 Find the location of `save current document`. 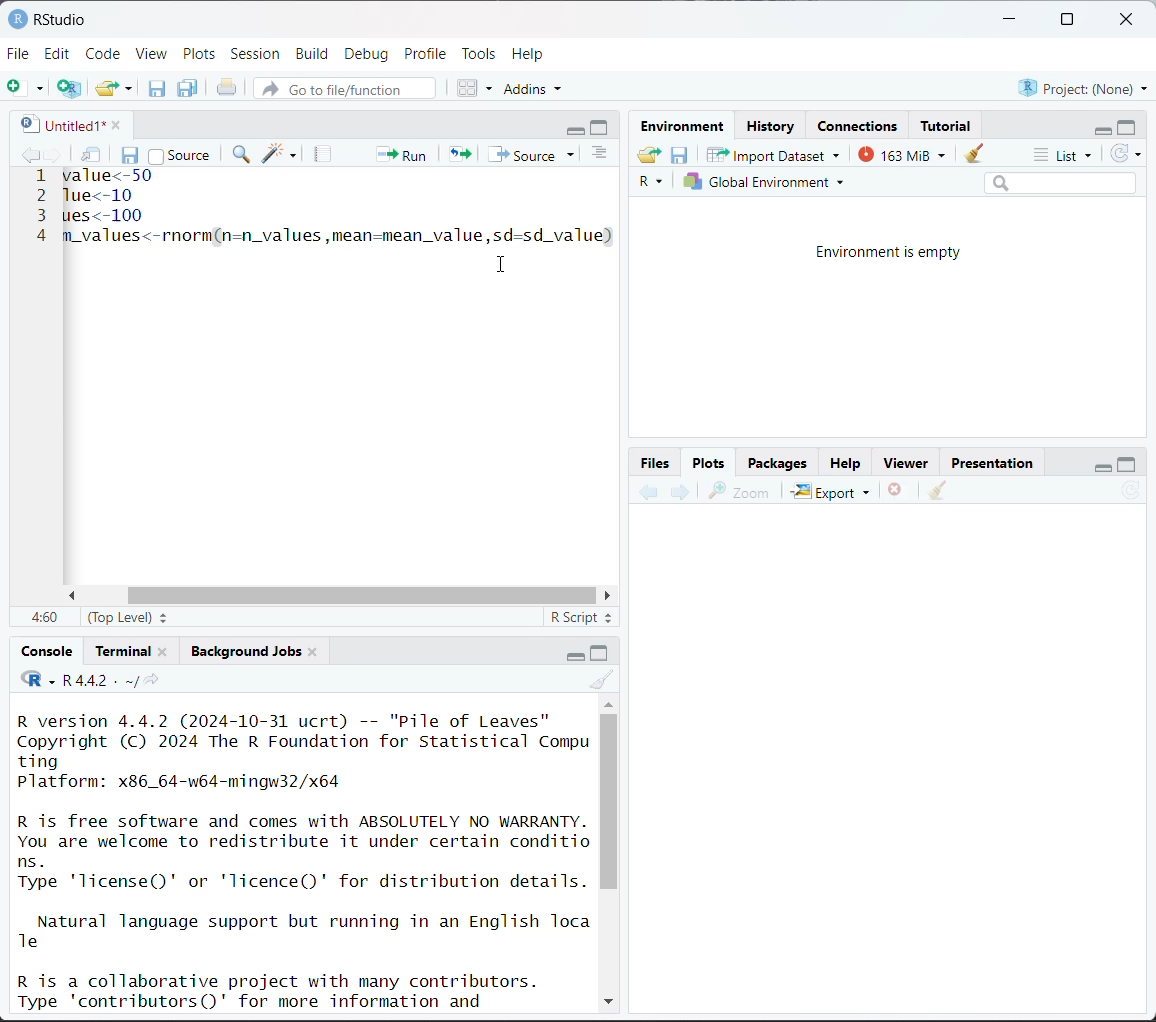

save current document is located at coordinates (131, 153).